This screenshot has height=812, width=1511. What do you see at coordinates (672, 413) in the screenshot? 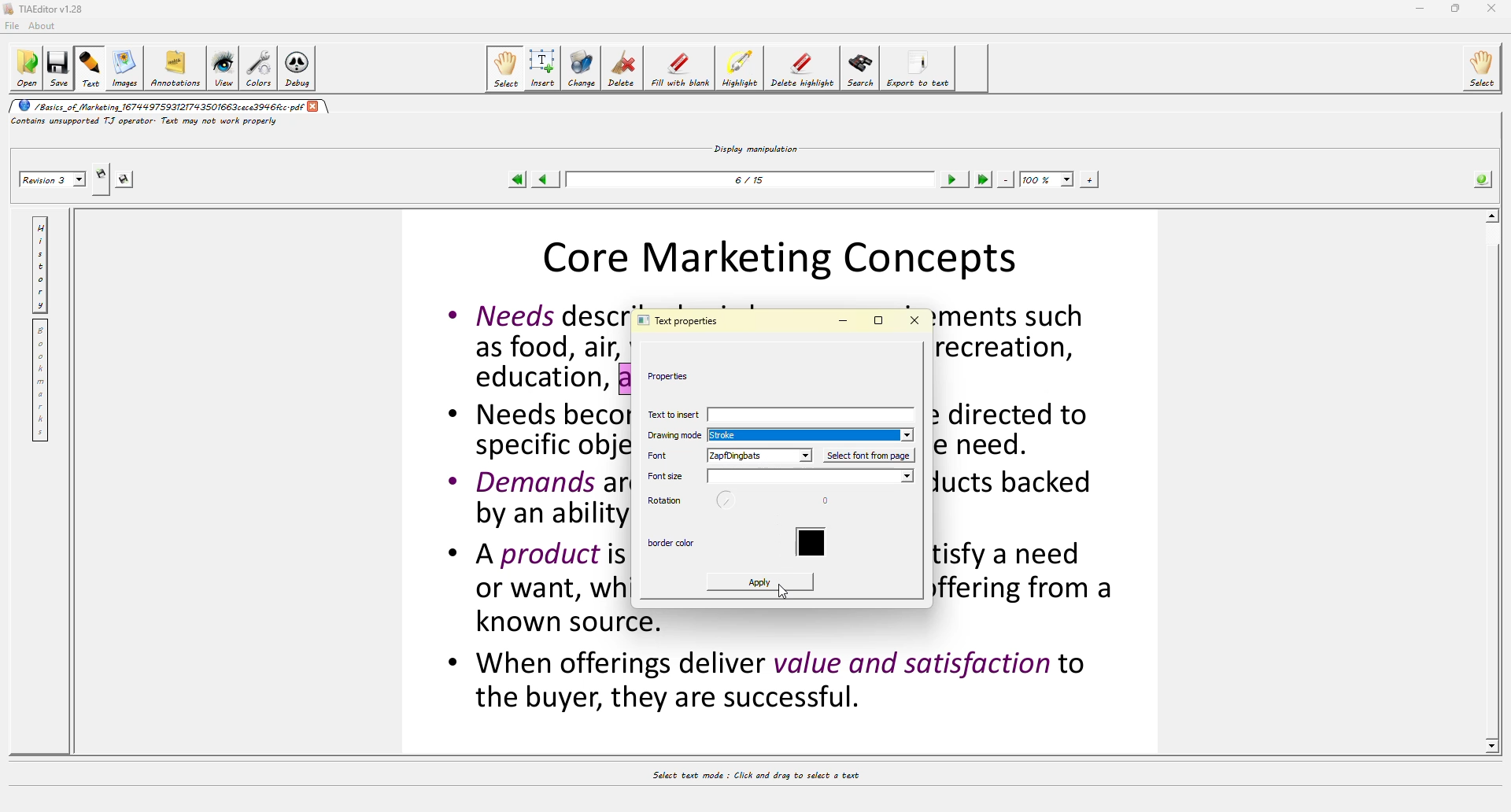
I see `text to insert` at bounding box center [672, 413].